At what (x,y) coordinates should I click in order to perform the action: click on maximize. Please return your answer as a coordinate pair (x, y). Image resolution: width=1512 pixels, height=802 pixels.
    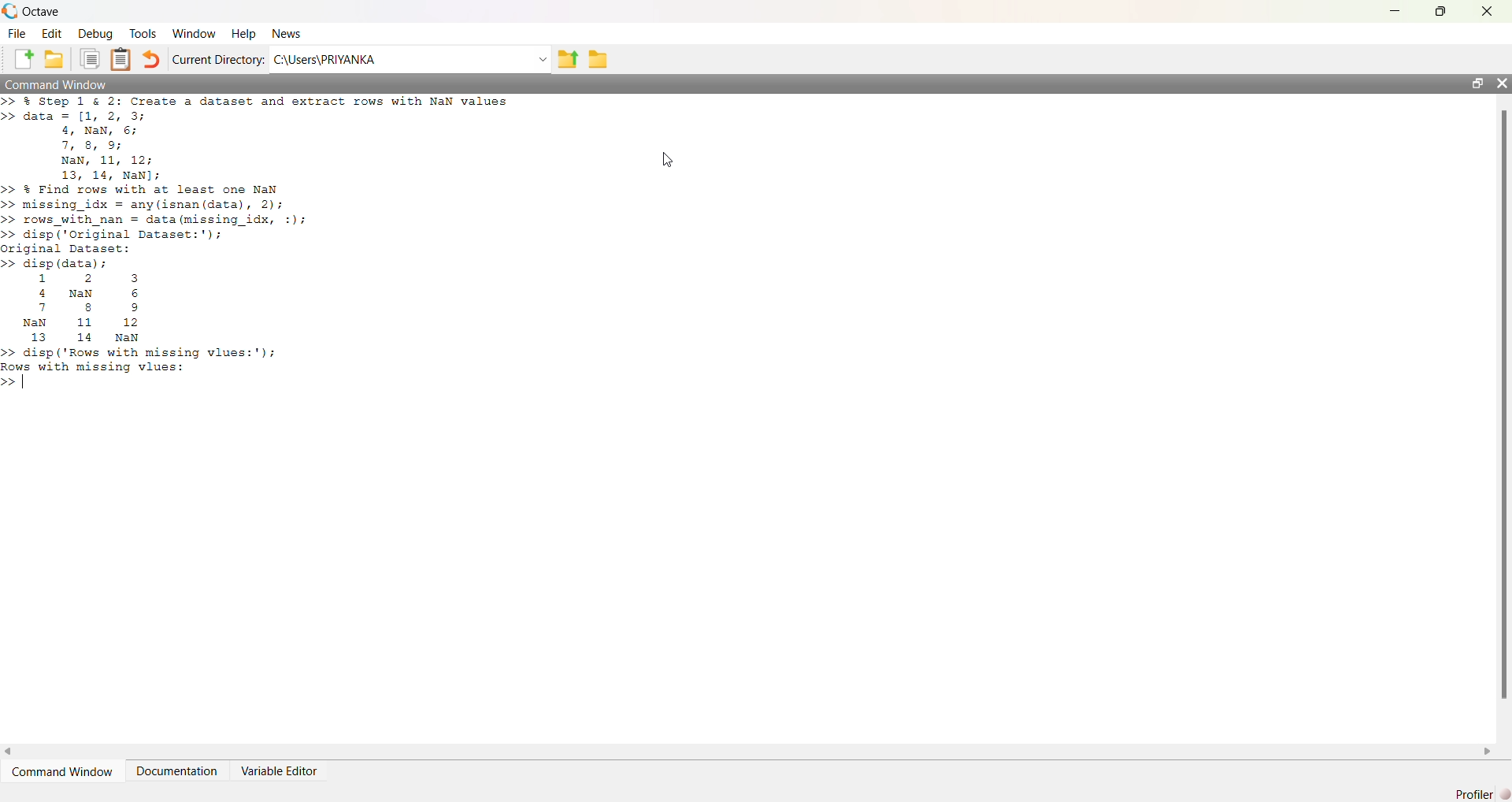
    Looking at the image, I should click on (1441, 10).